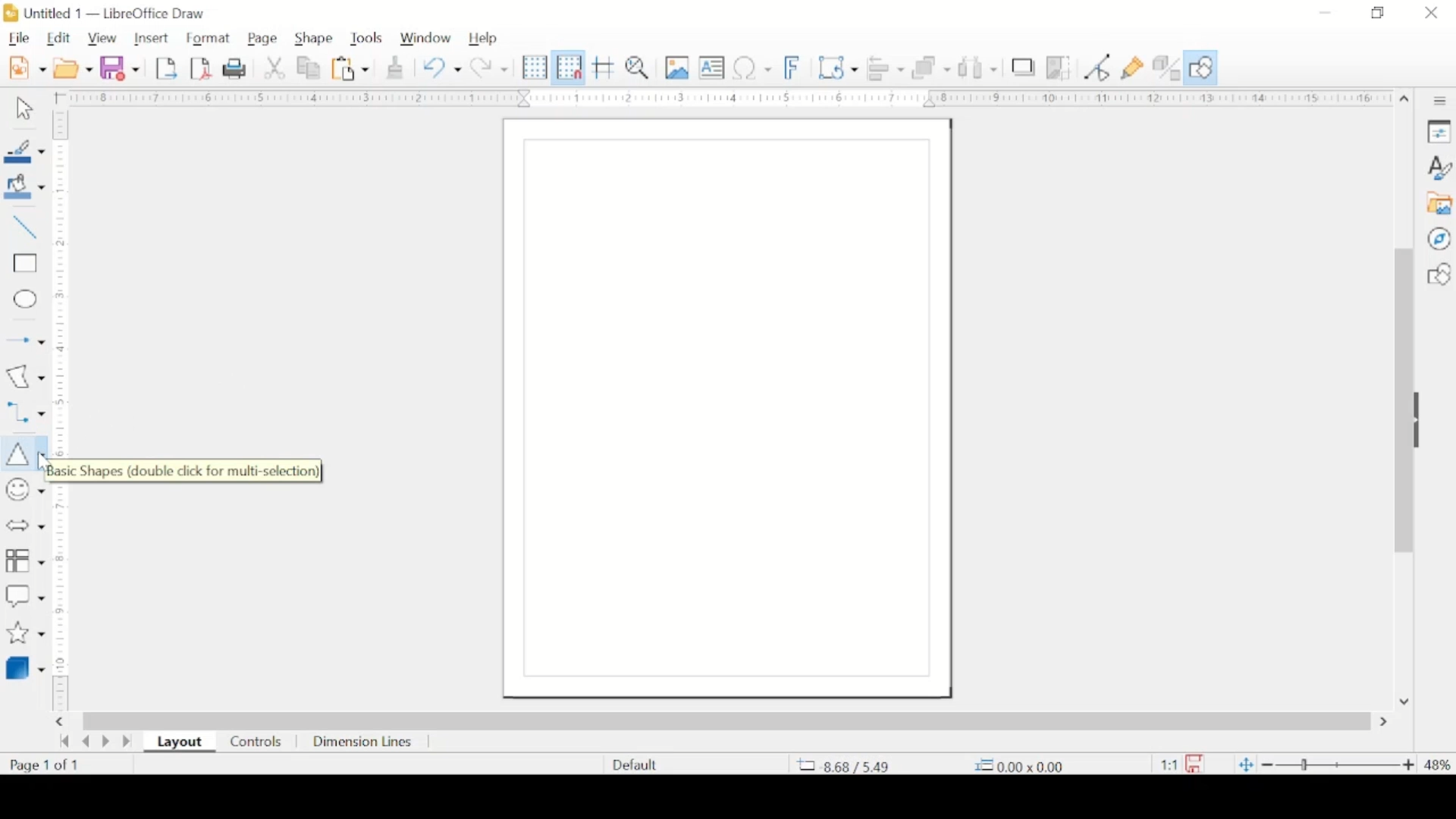 The height and width of the screenshot is (819, 1456). What do you see at coordinates (535, 67) in the screenshot?
I see `display grid` at bounding box center [535, 67].